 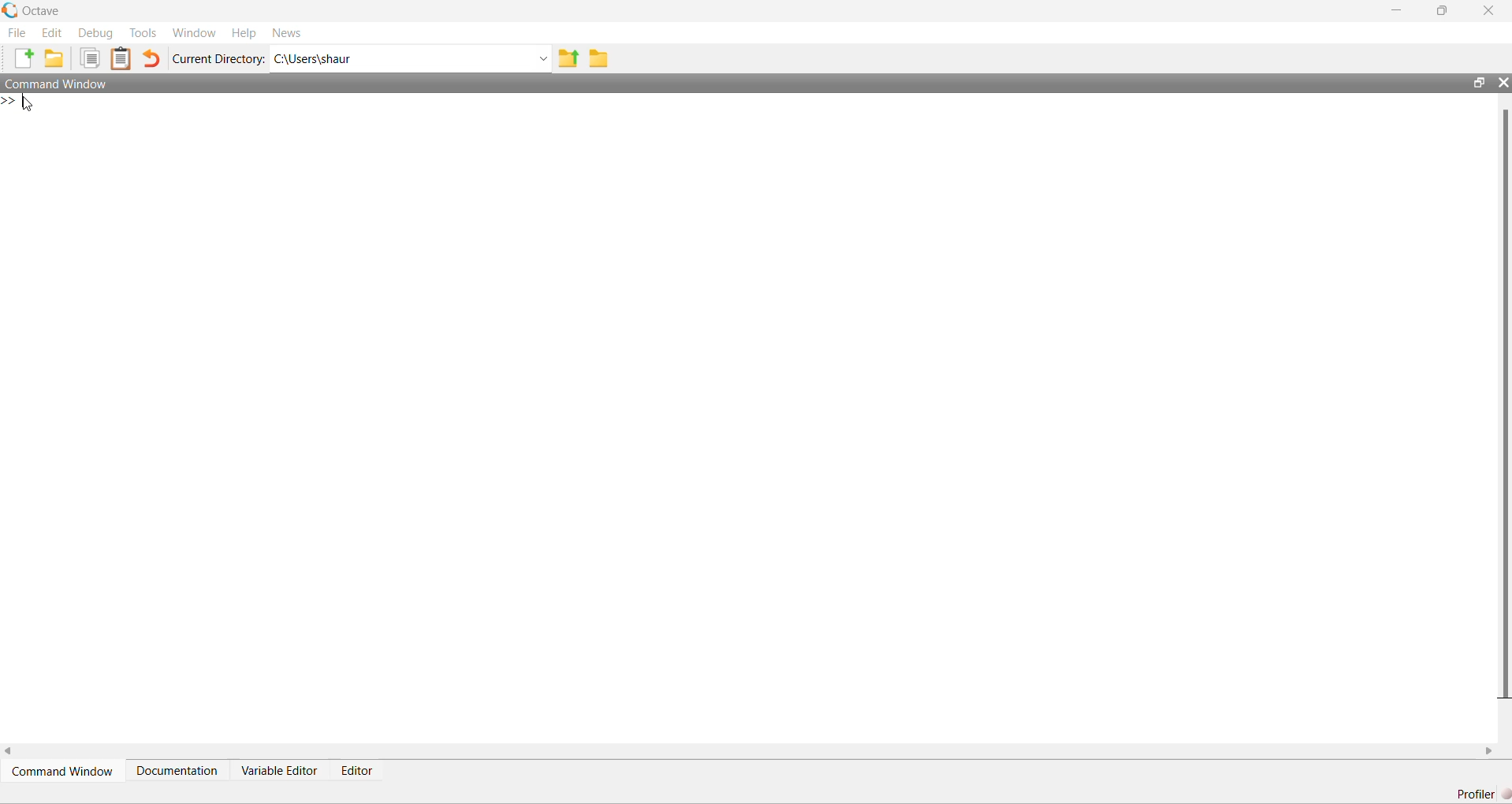 I want to click on logo, so click(x=11, y=10).